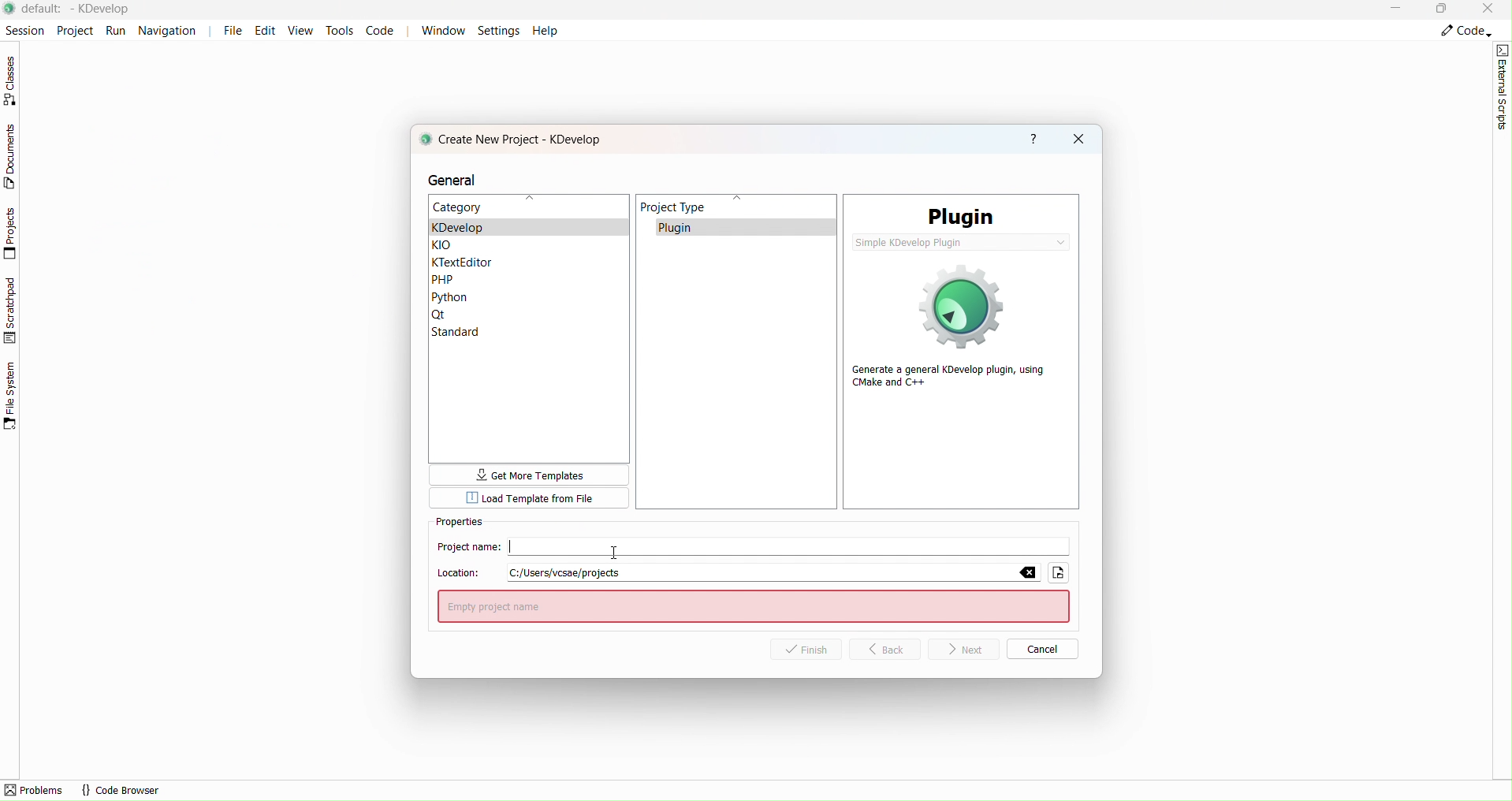 This screenshot has width=1512, height=801. I want to click on Project, so click(74, 29).